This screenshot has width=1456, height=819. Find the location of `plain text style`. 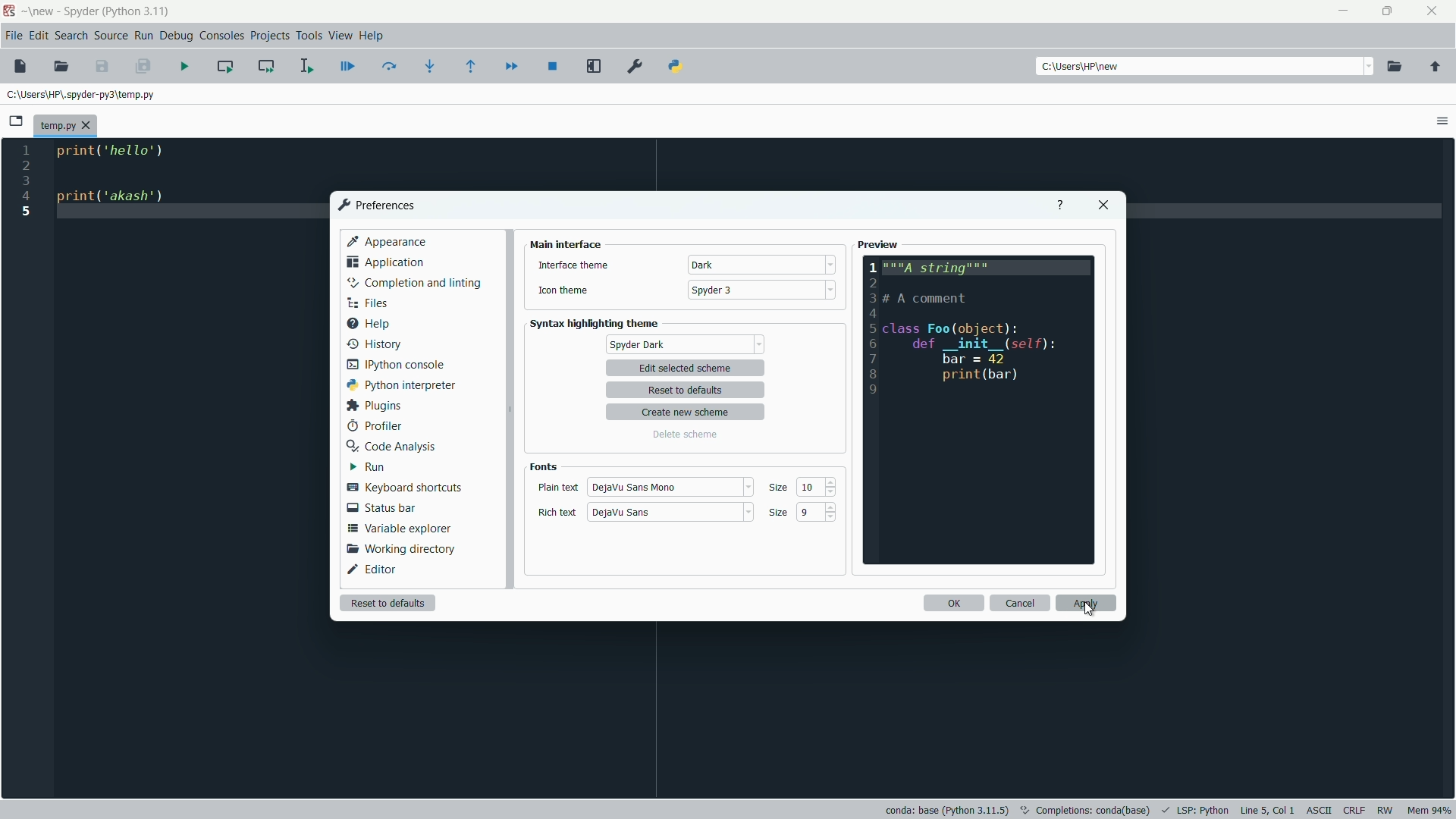

plain text style is located at coordinates (639, 486).